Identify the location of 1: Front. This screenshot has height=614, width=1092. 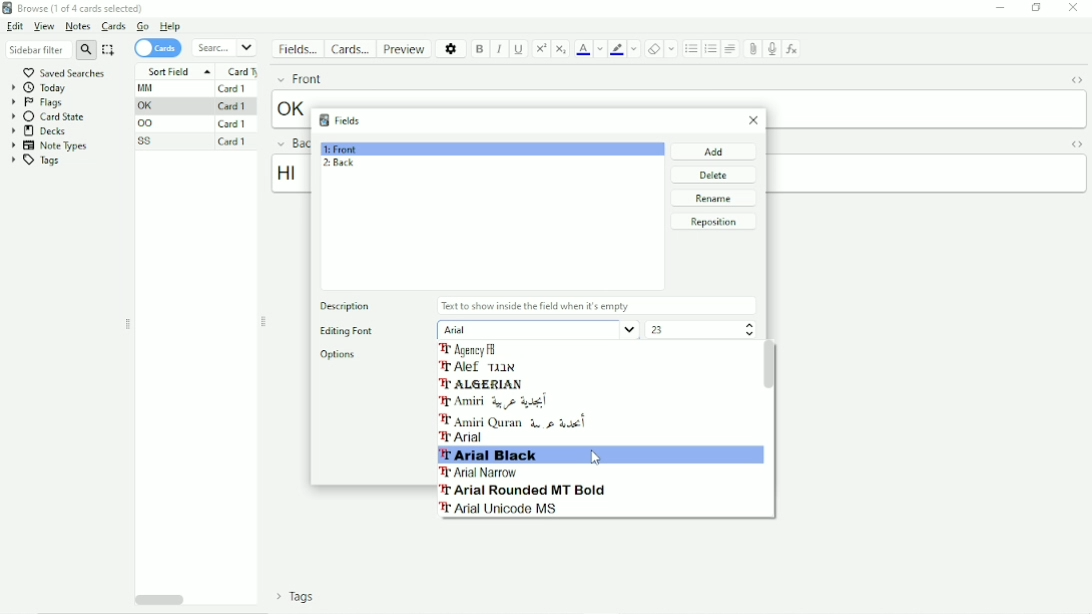
(345, 148).